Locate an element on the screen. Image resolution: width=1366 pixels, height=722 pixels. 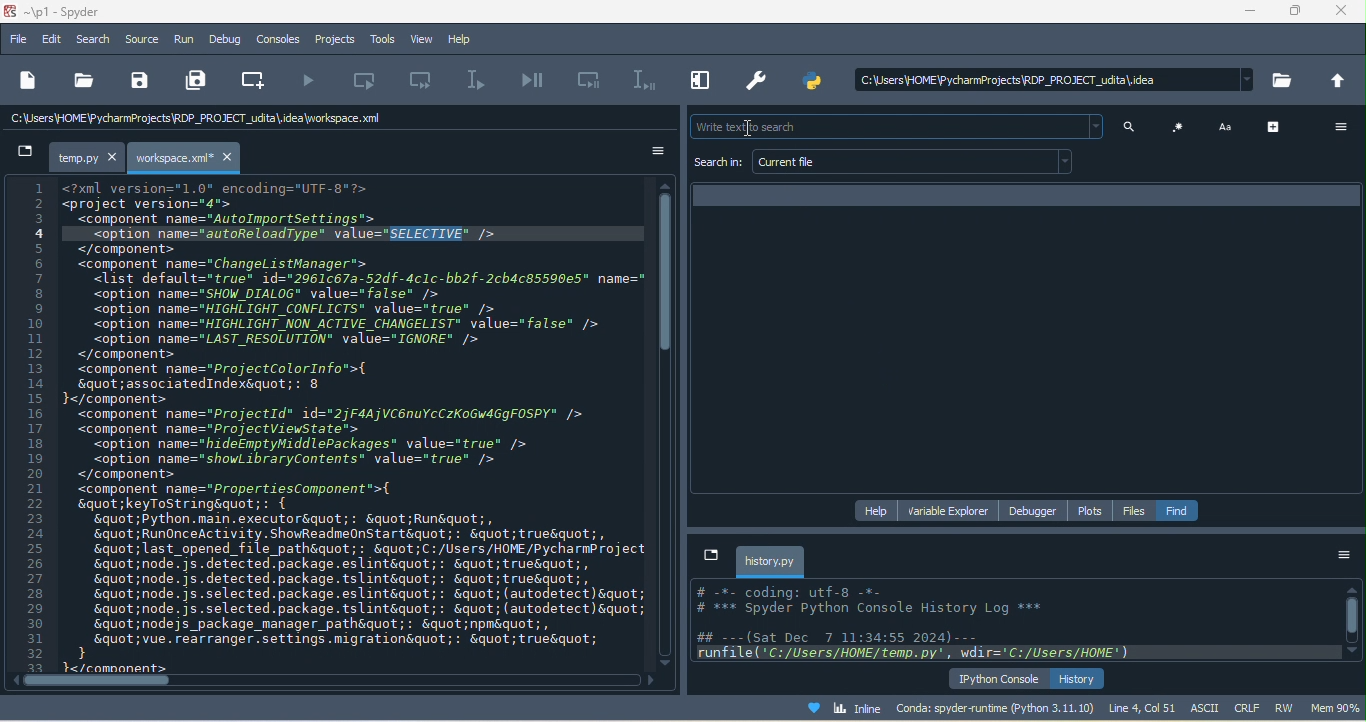
source is located at coordinates (145, 40).